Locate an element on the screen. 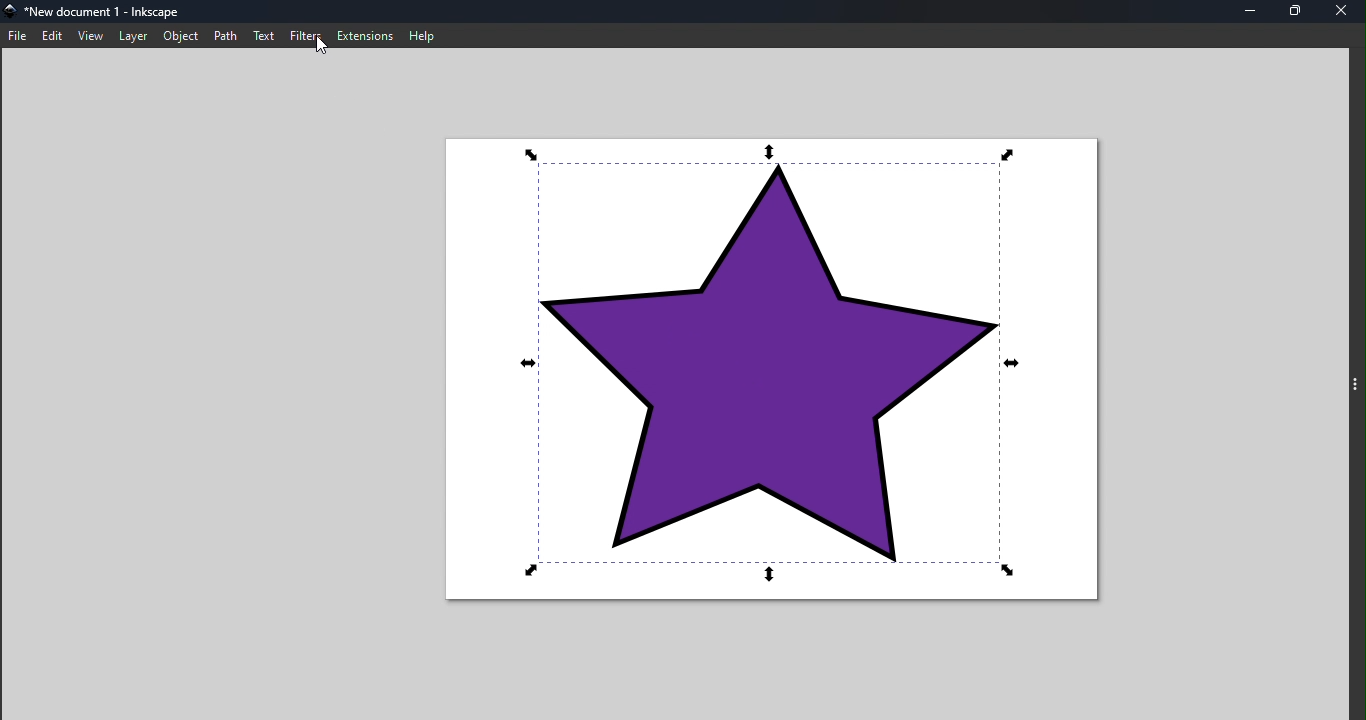  Minimize is located at coordinates (1254, 14).